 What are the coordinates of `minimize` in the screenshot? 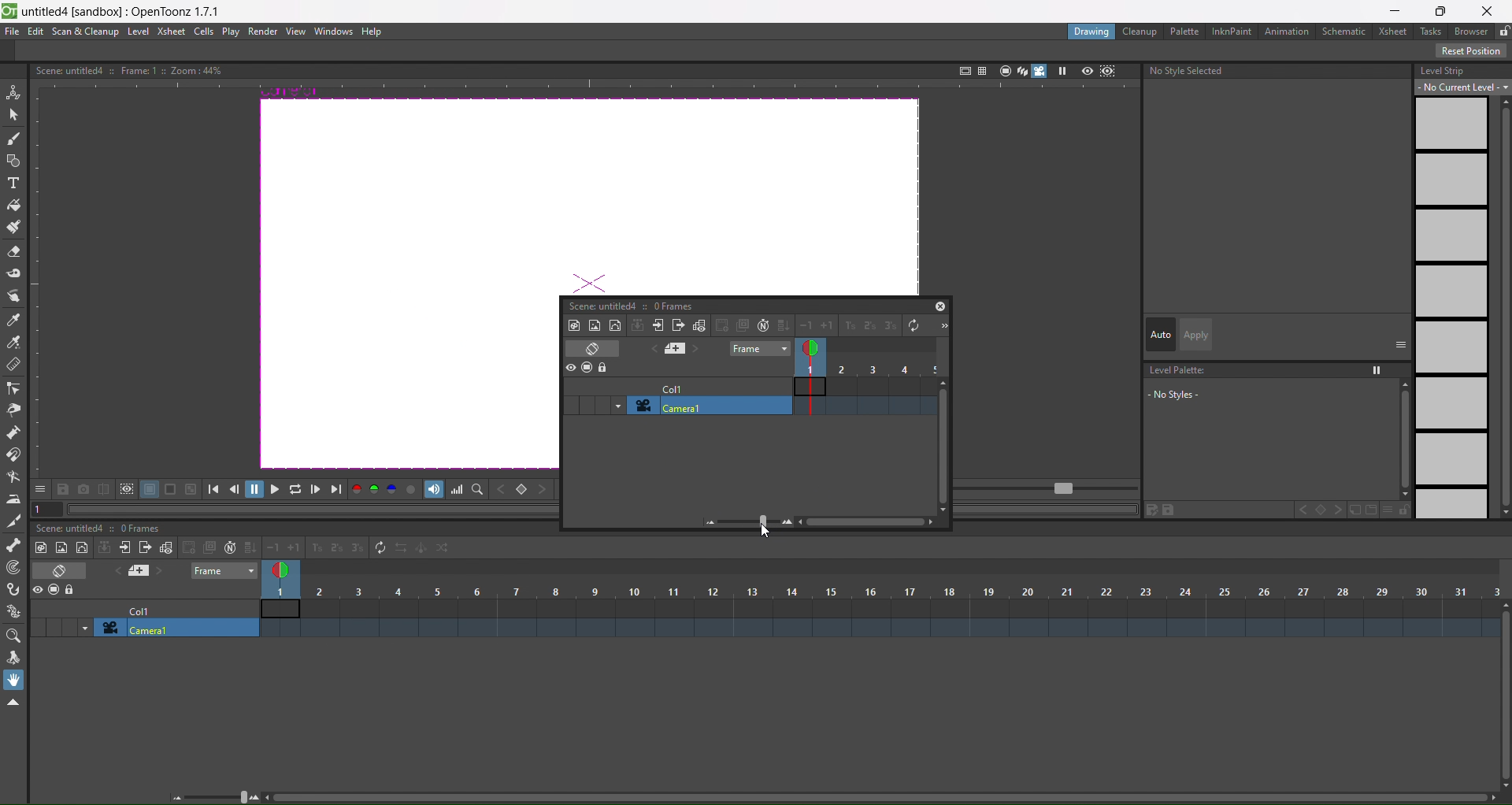 It's located at (1394, 11).